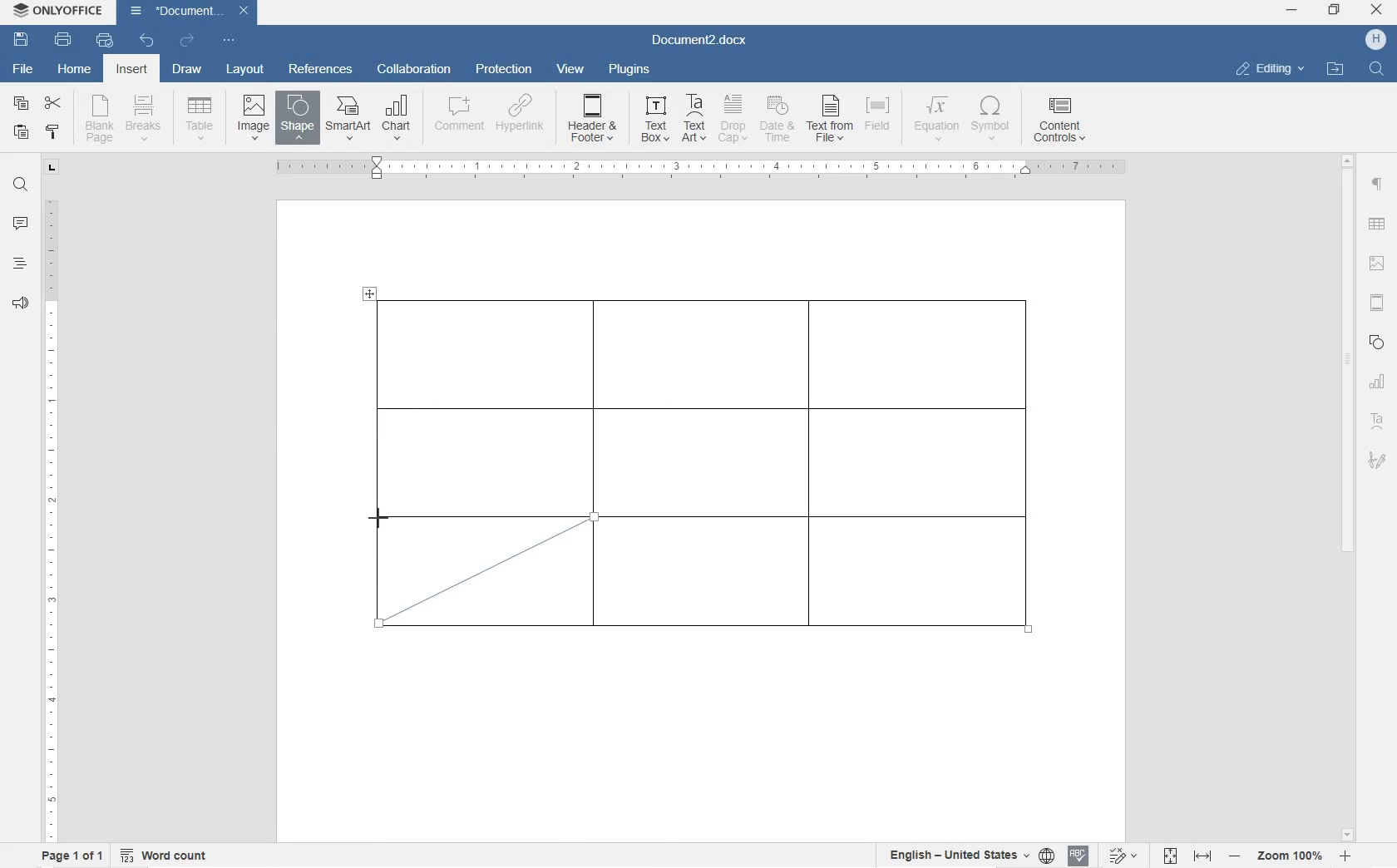 This screenshot has height=868, width=1397. What do you see at coordinates (397, 116) in the screenshot?
I see `CHART` at bounding box center [397, 116].